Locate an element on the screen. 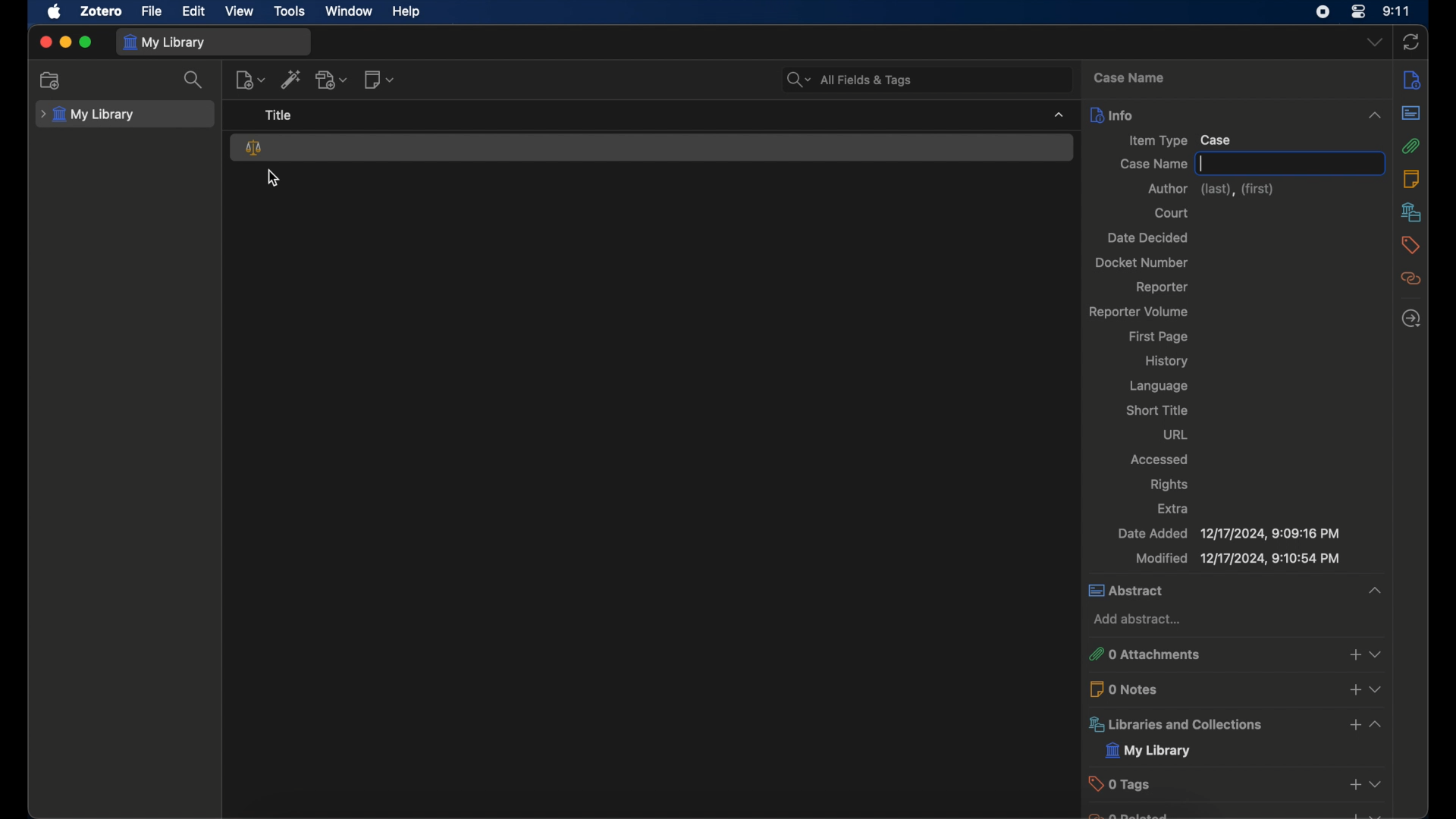  modified is located at coordinates (1238, 557).